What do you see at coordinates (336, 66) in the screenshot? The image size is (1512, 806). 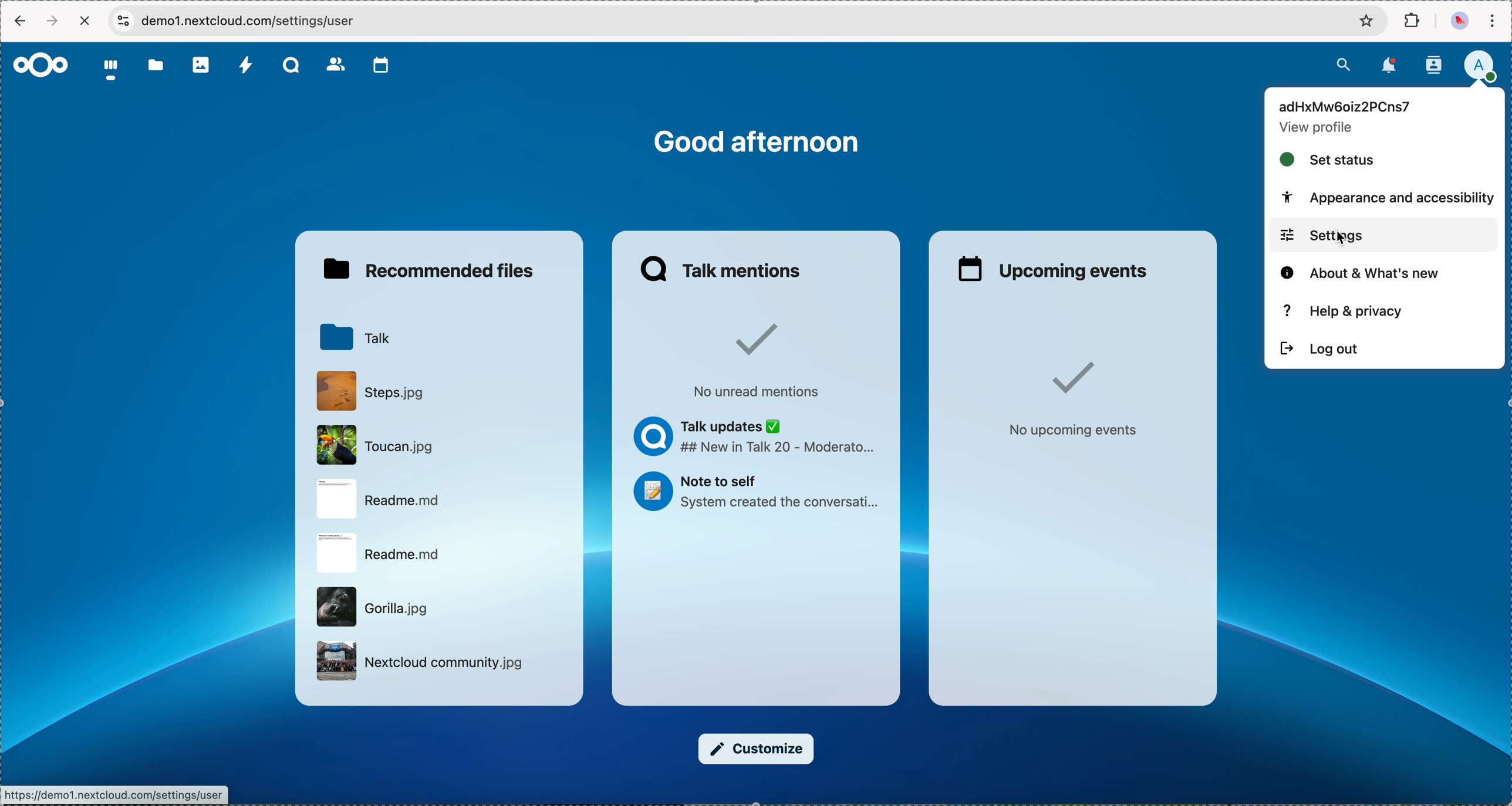 I see `contacts` at bounding box center [336, 66].